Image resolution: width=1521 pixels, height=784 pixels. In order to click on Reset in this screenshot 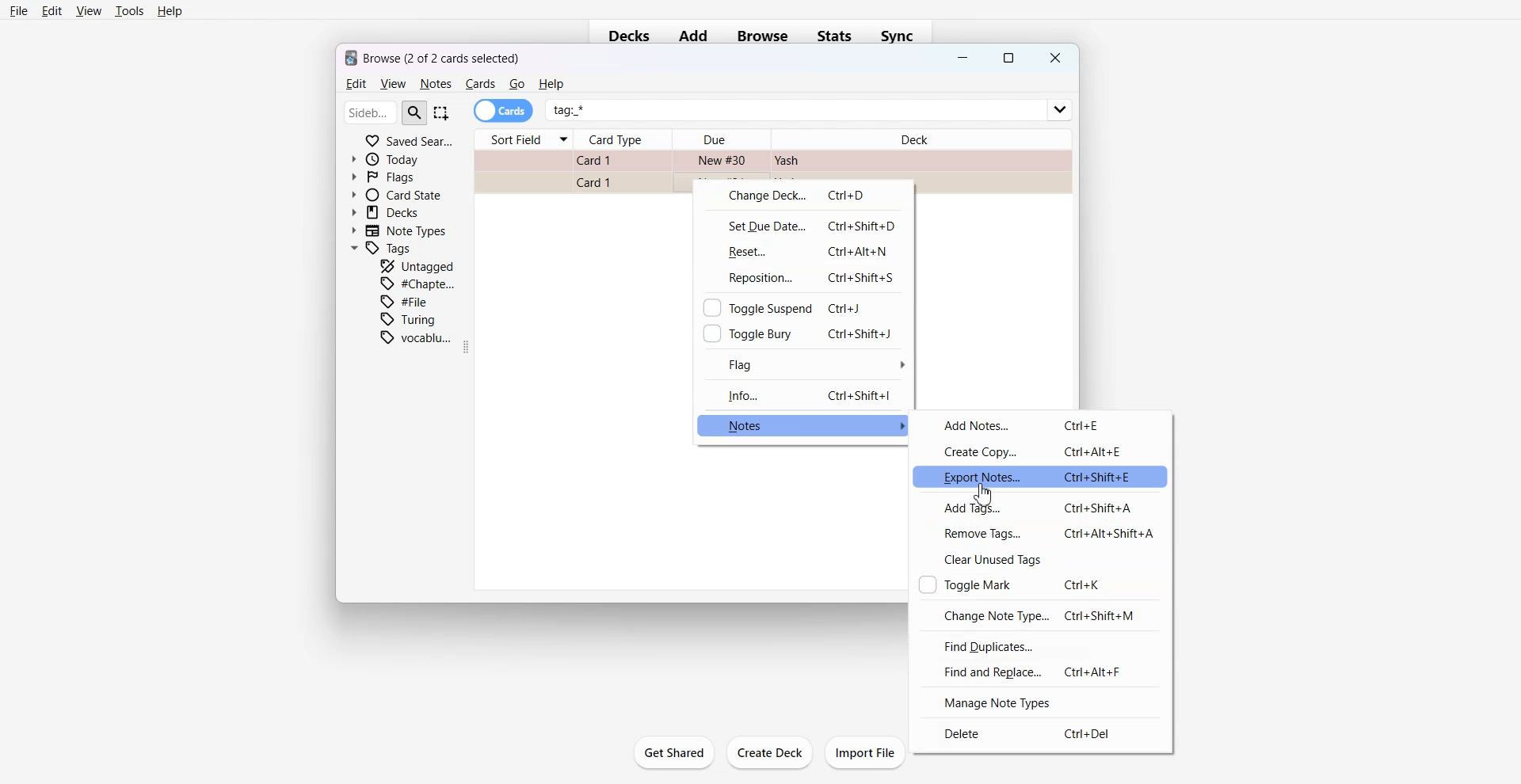, I will do `click(803, 251)`.